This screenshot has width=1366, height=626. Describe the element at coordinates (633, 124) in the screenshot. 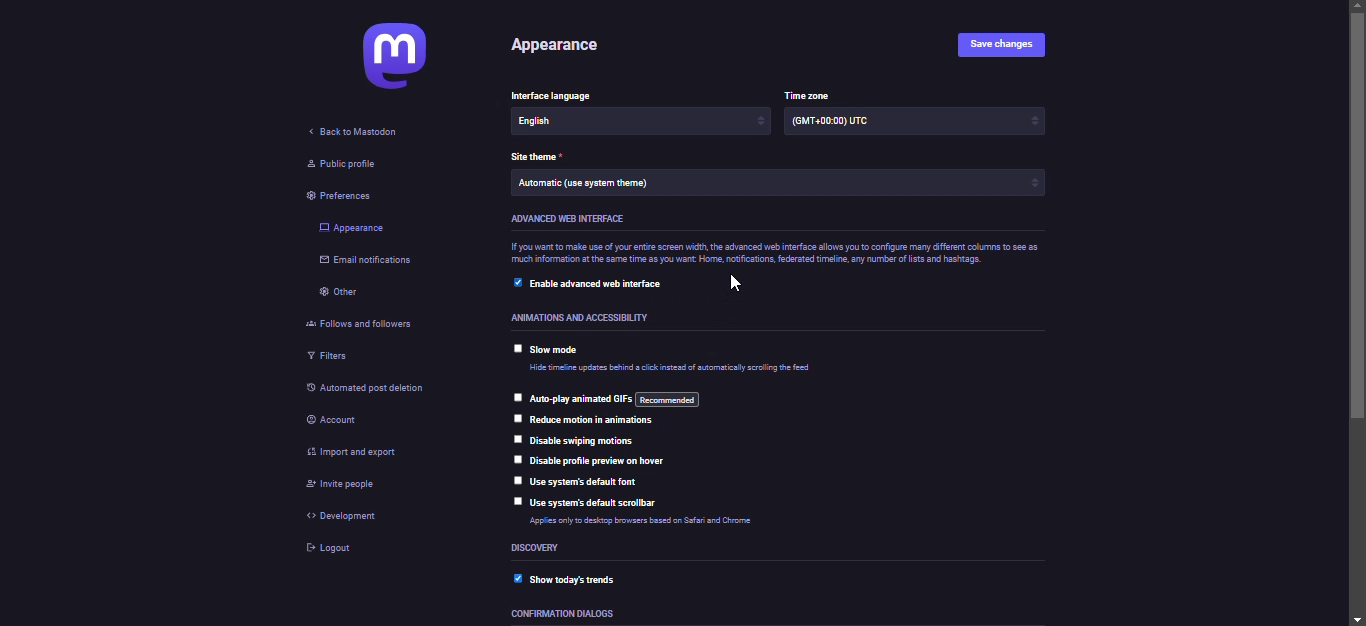

I see `English` at that location.